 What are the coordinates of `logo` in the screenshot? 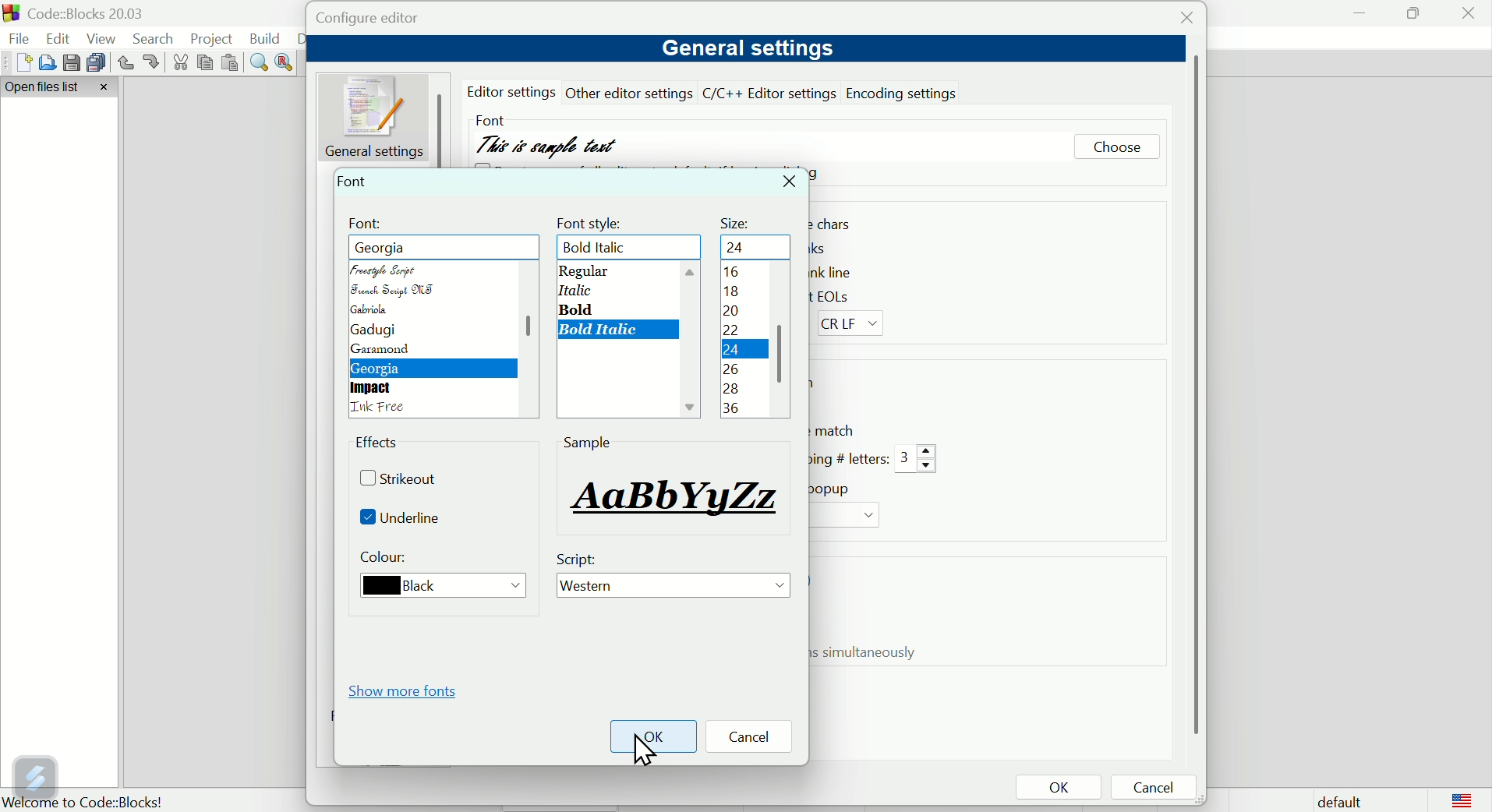 It's located at (1462, 800).